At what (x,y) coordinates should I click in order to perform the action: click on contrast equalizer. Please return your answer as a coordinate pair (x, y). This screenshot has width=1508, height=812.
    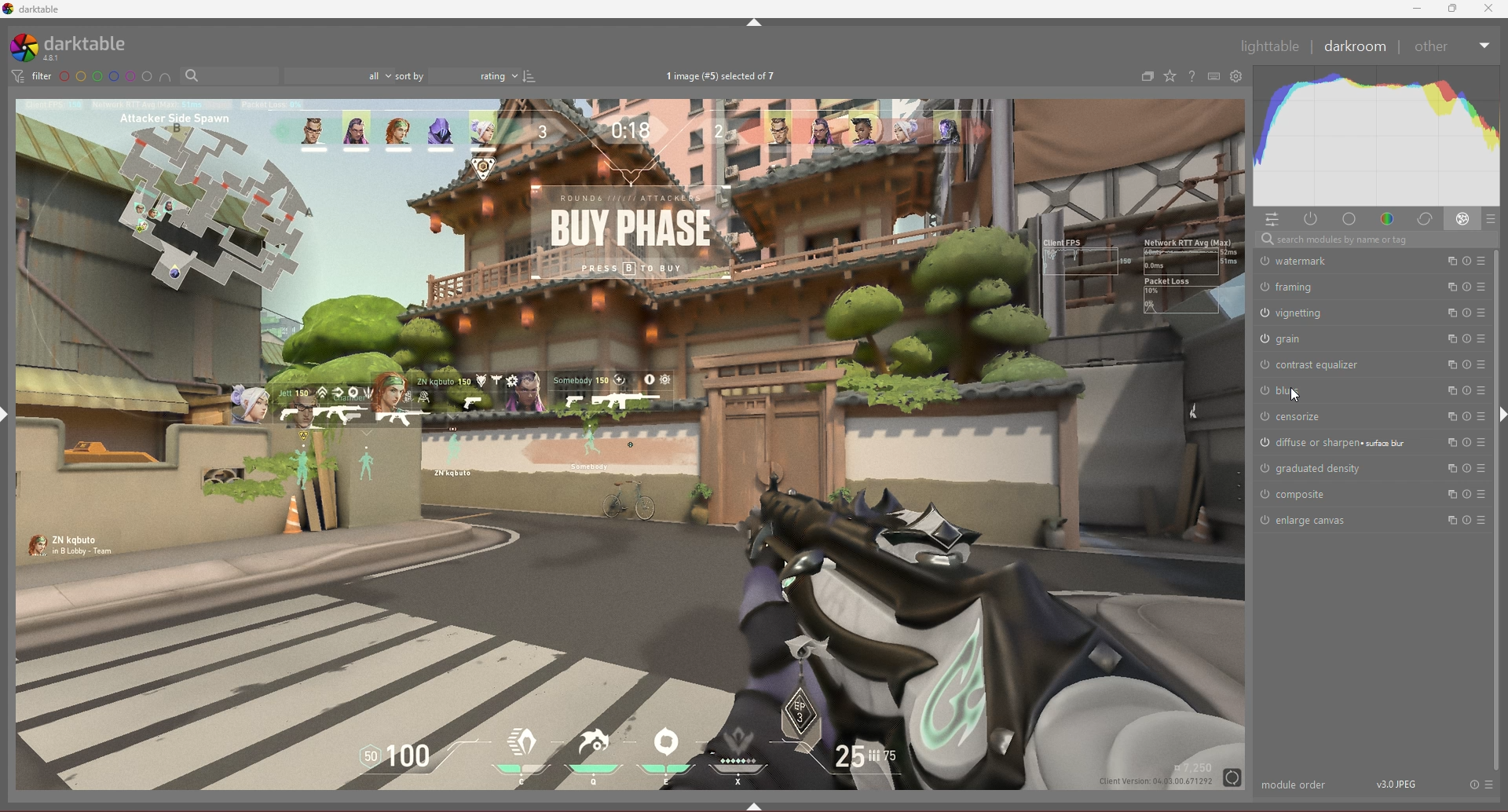
    Looking at the image, I should click on (1320, 365).